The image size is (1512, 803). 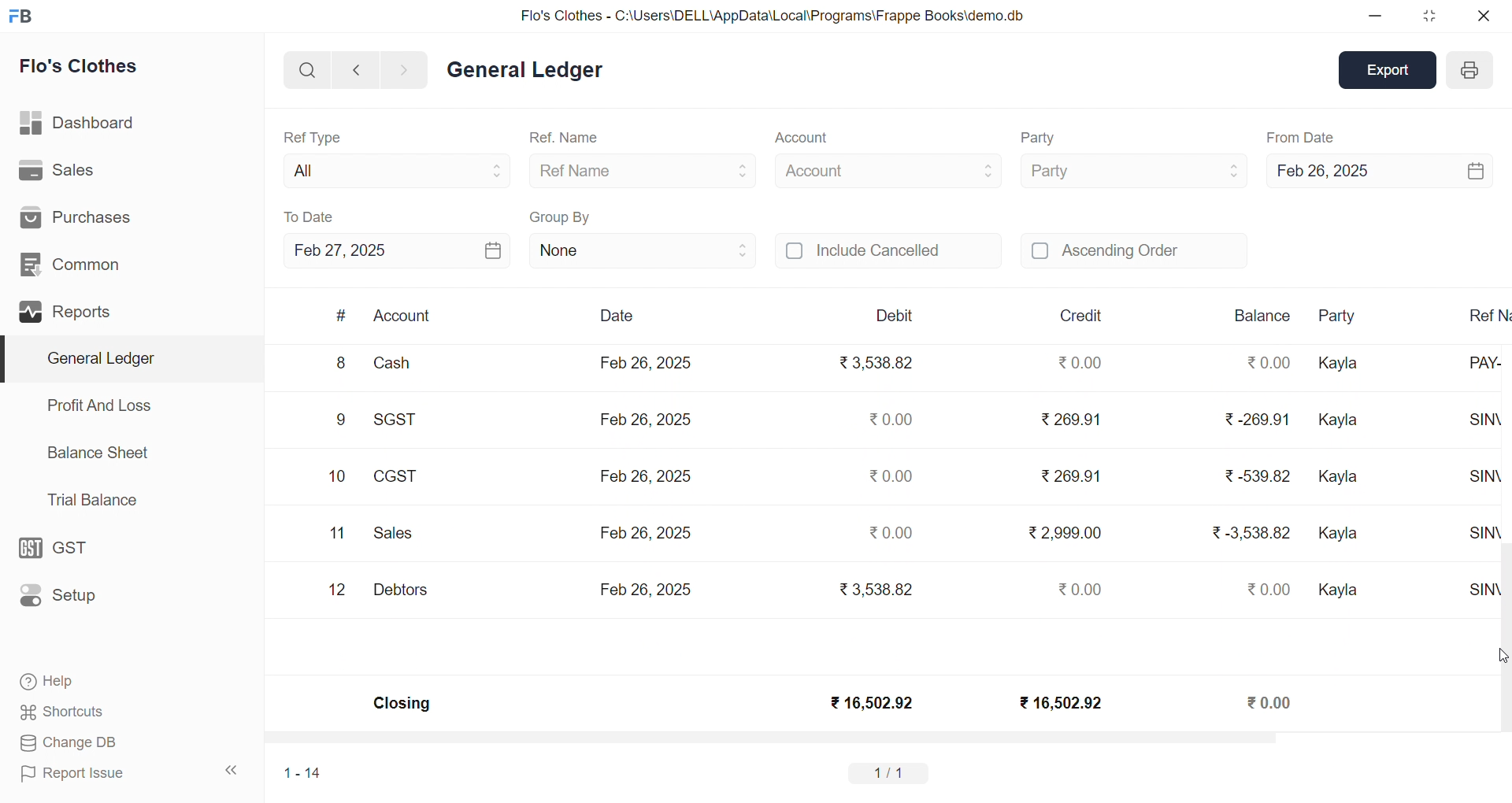 What do you see at coordinates (800, 139) in the screenshot?
I see `Account` at bounding box center [800, 139].